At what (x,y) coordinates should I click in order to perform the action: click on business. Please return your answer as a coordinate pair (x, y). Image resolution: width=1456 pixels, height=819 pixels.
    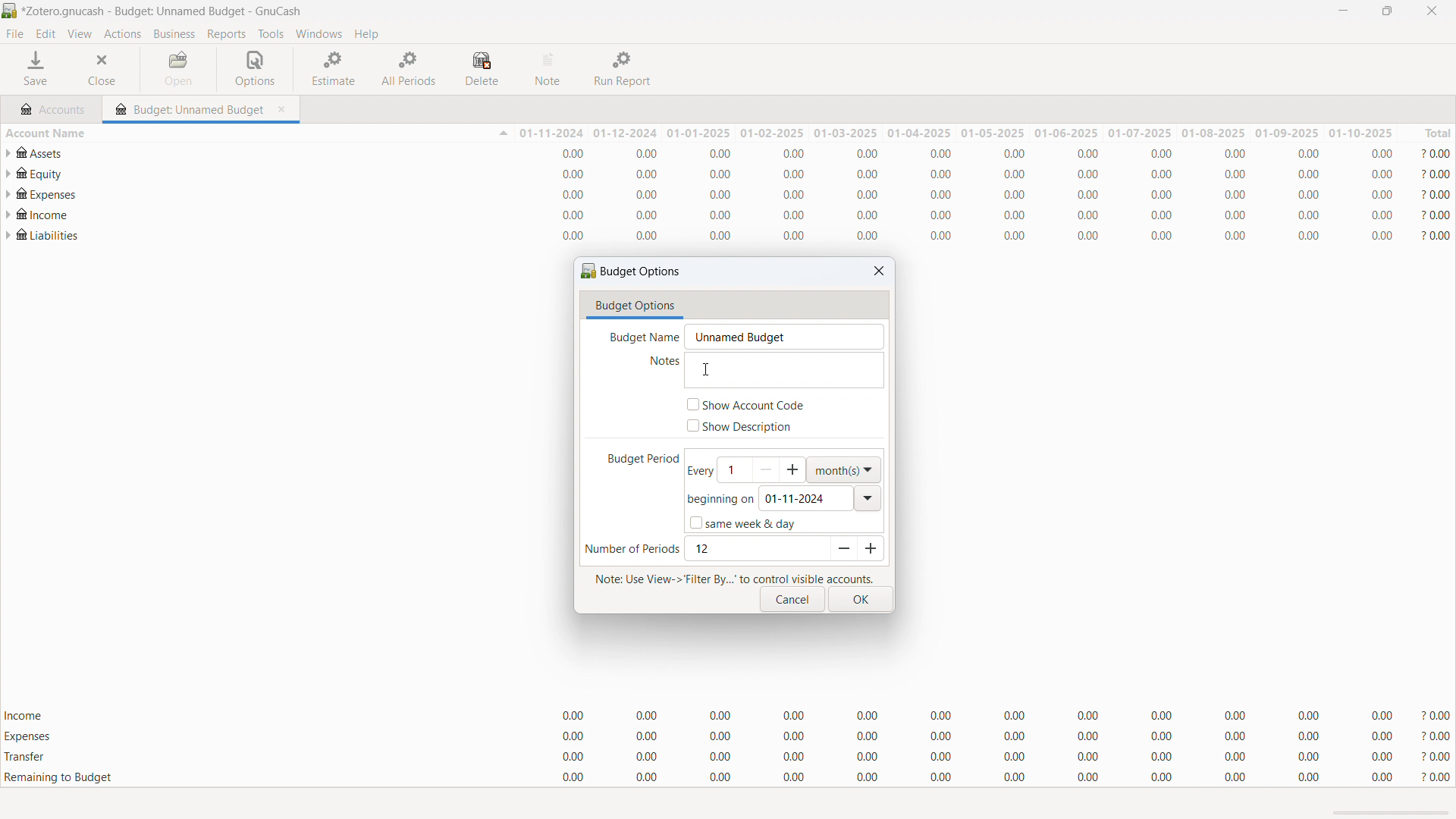
    Looking at the image, I should click on (174, 34).